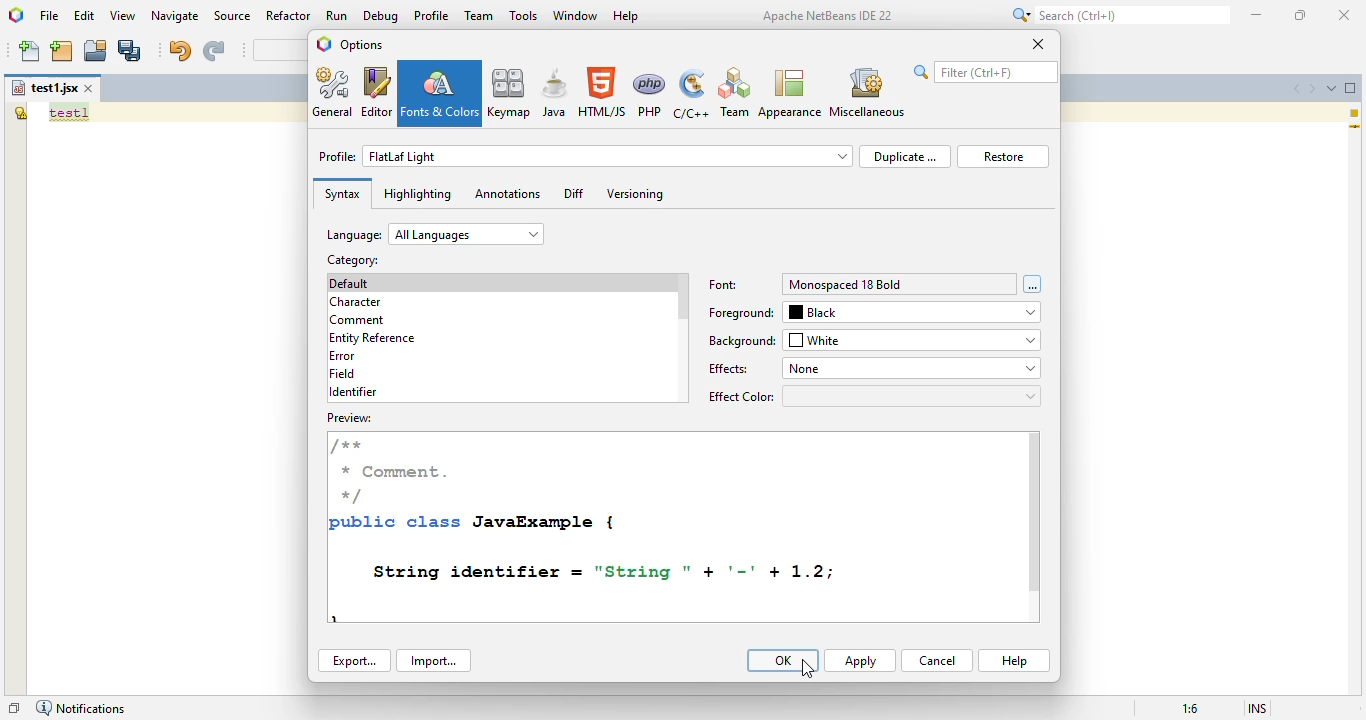 The height and width of the screenshot is (720, 1366). I want to click on effects, so click(728, 368).